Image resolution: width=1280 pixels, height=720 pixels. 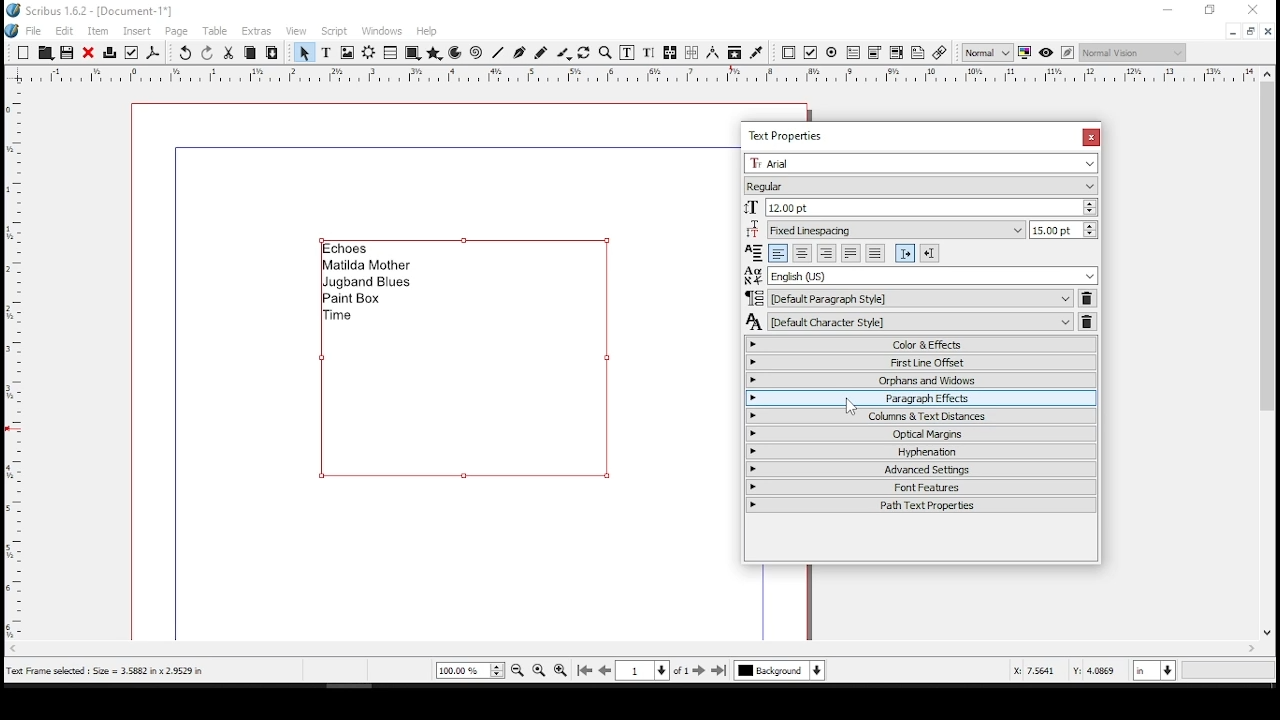 I want to click on preflight verifier, so click(x=133, y=52).